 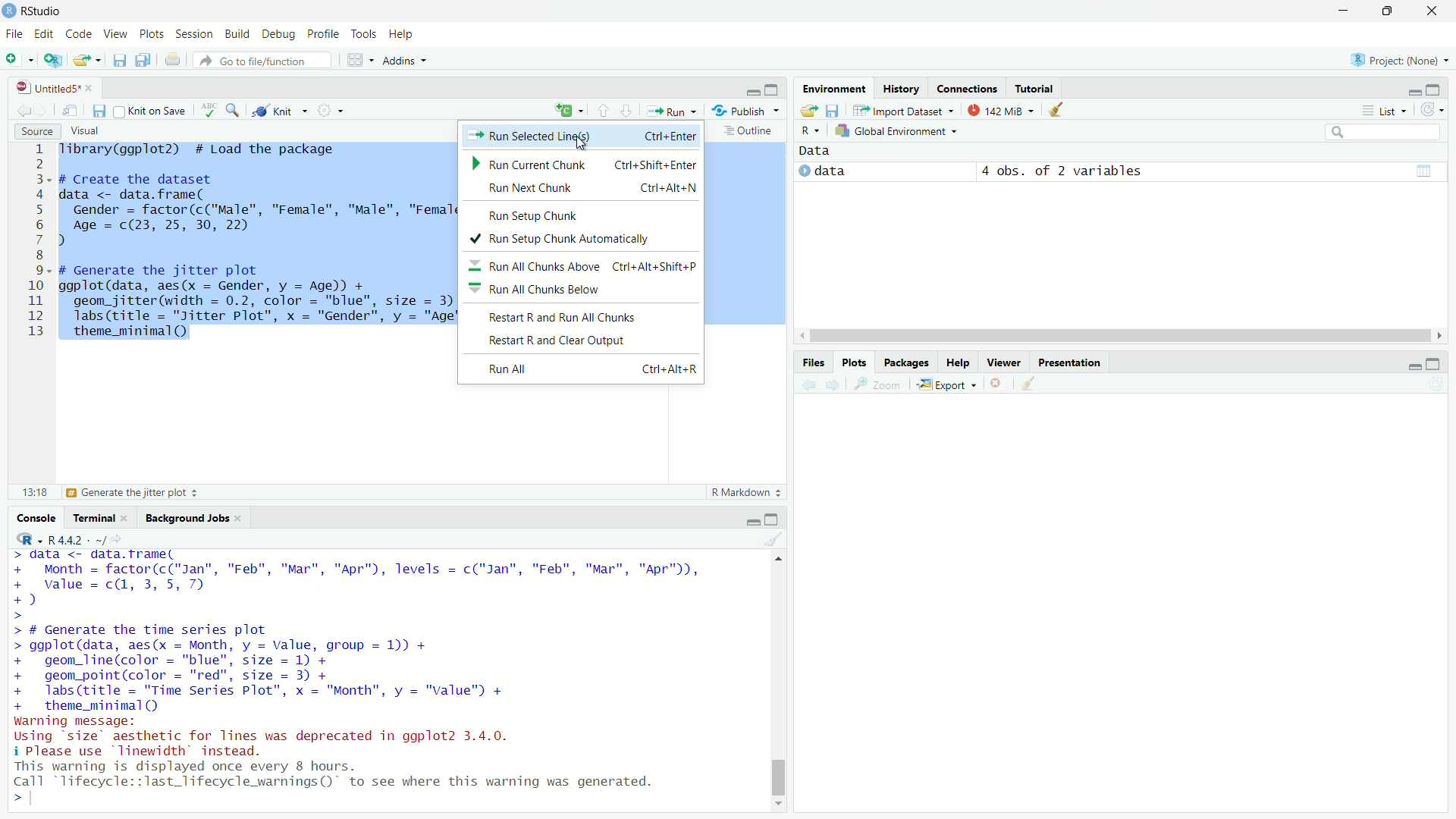 I want to click on settings, so click(x=332, y=111).